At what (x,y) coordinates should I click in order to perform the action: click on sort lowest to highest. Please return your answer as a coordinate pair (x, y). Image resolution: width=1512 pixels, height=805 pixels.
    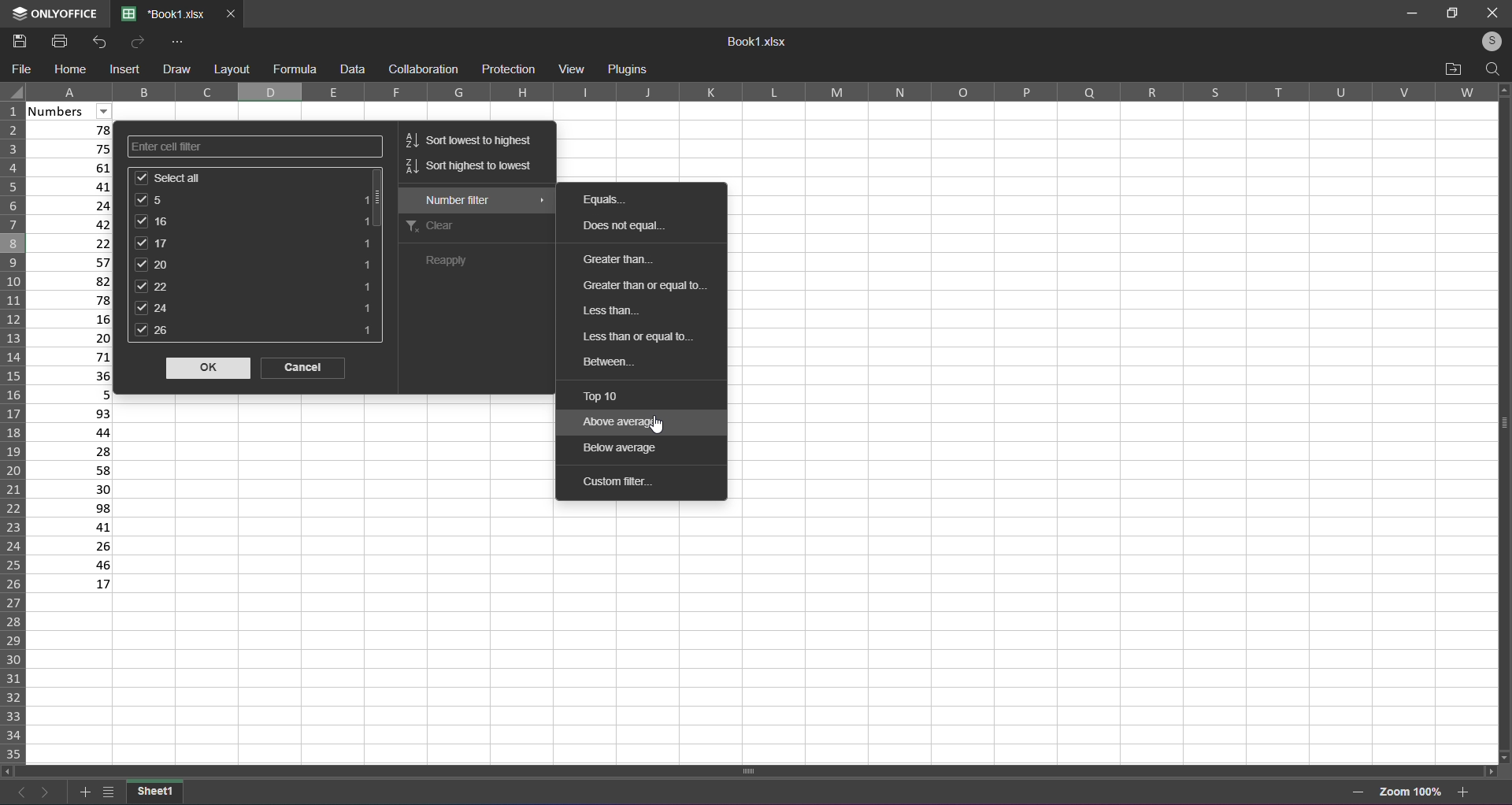
    Looking at the image, I should click on (471, 137).